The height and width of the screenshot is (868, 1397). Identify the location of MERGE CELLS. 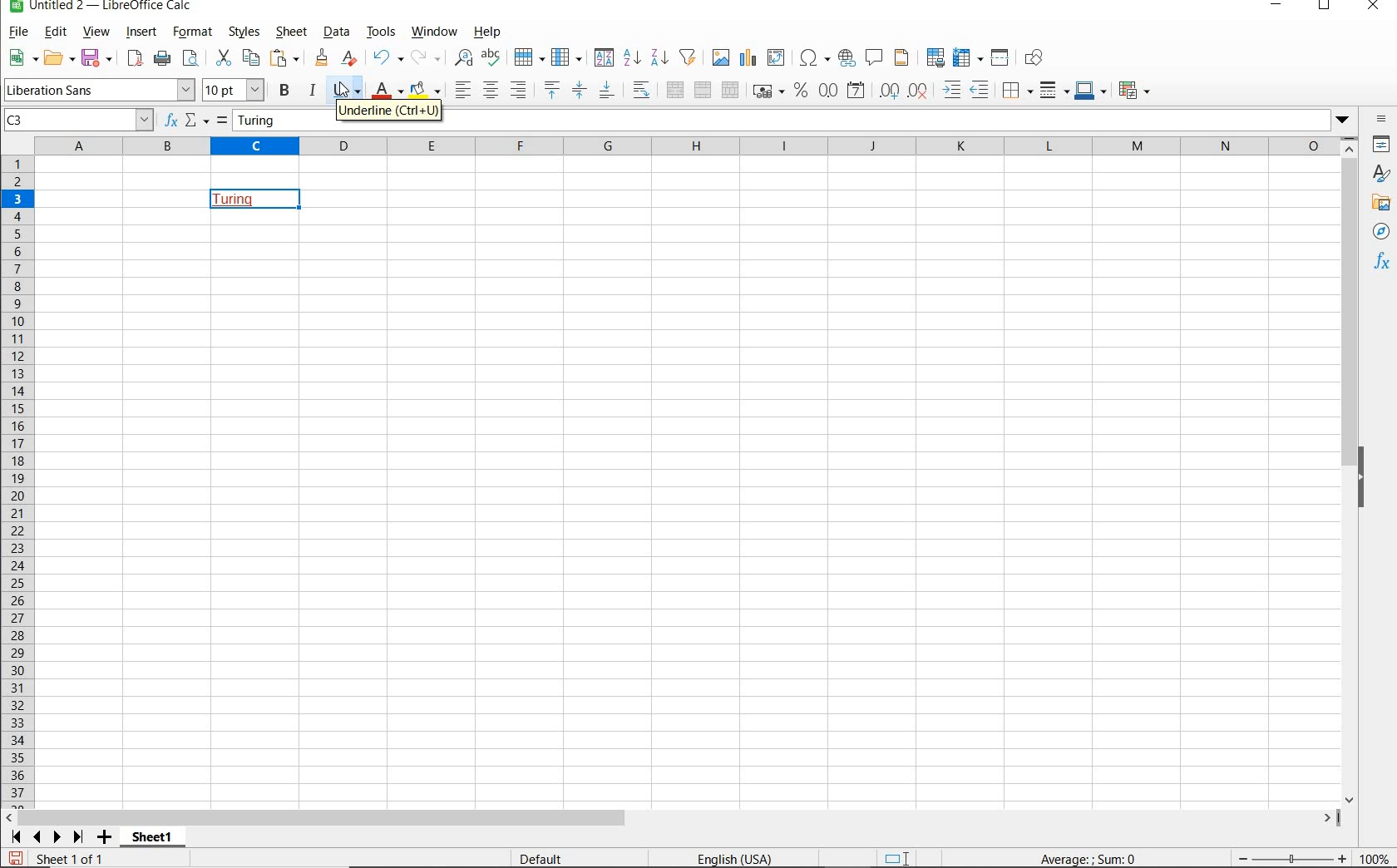
(704, 91).